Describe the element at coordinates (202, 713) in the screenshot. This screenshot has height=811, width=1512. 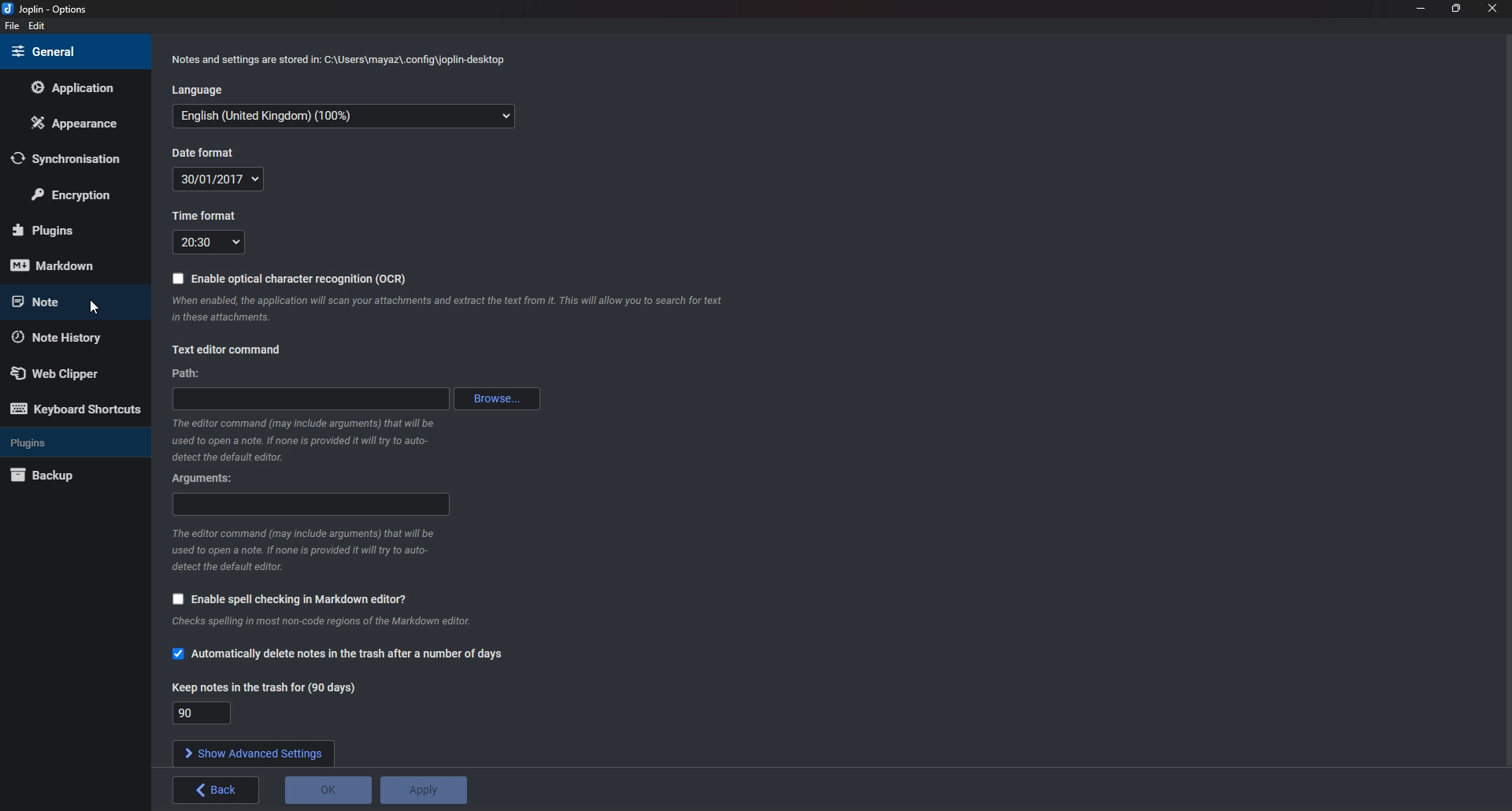
I see `90` at that location.